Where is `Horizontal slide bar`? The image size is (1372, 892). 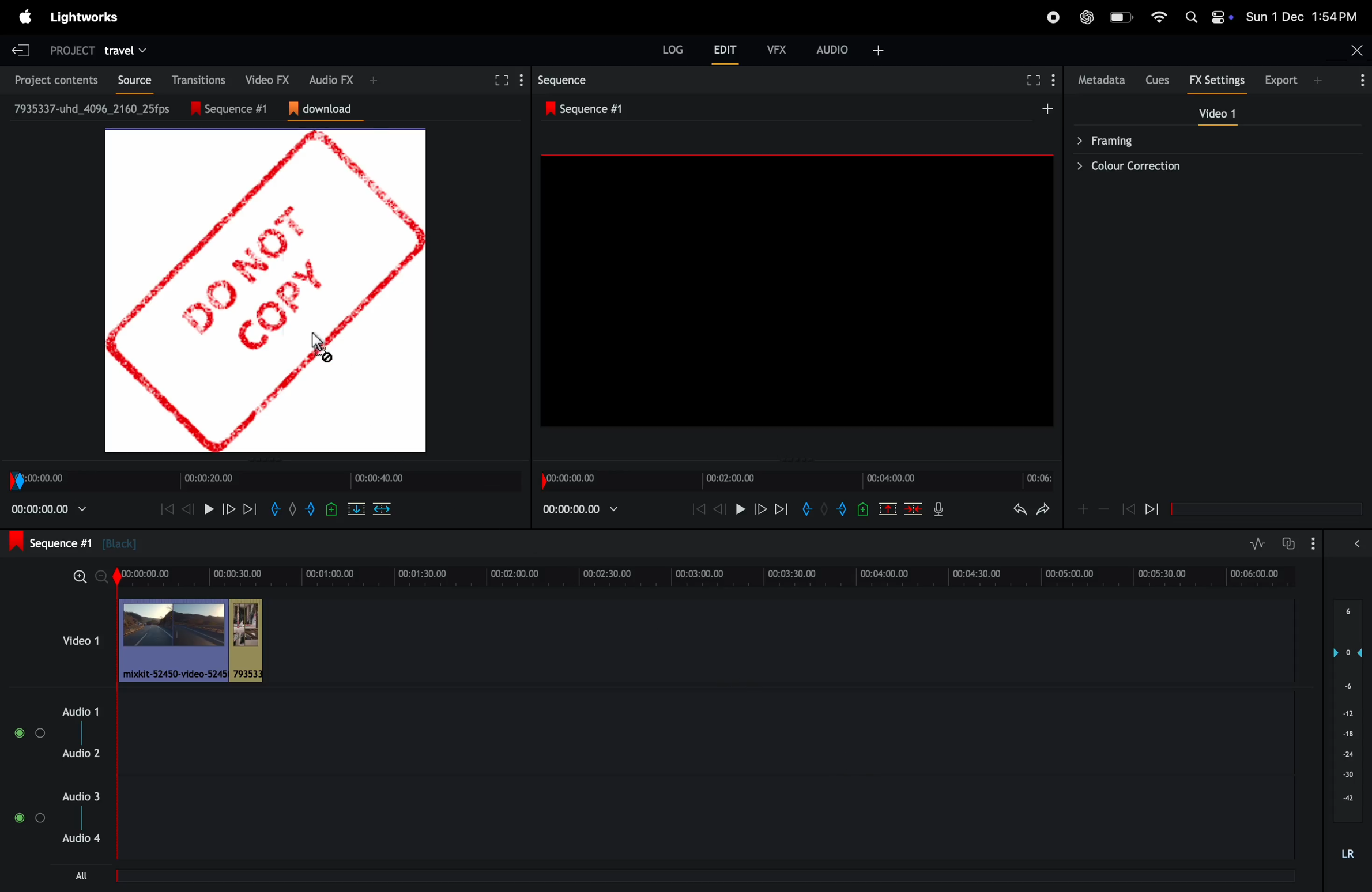
Horizontal slide bar is located at coordinates (1267, 509).